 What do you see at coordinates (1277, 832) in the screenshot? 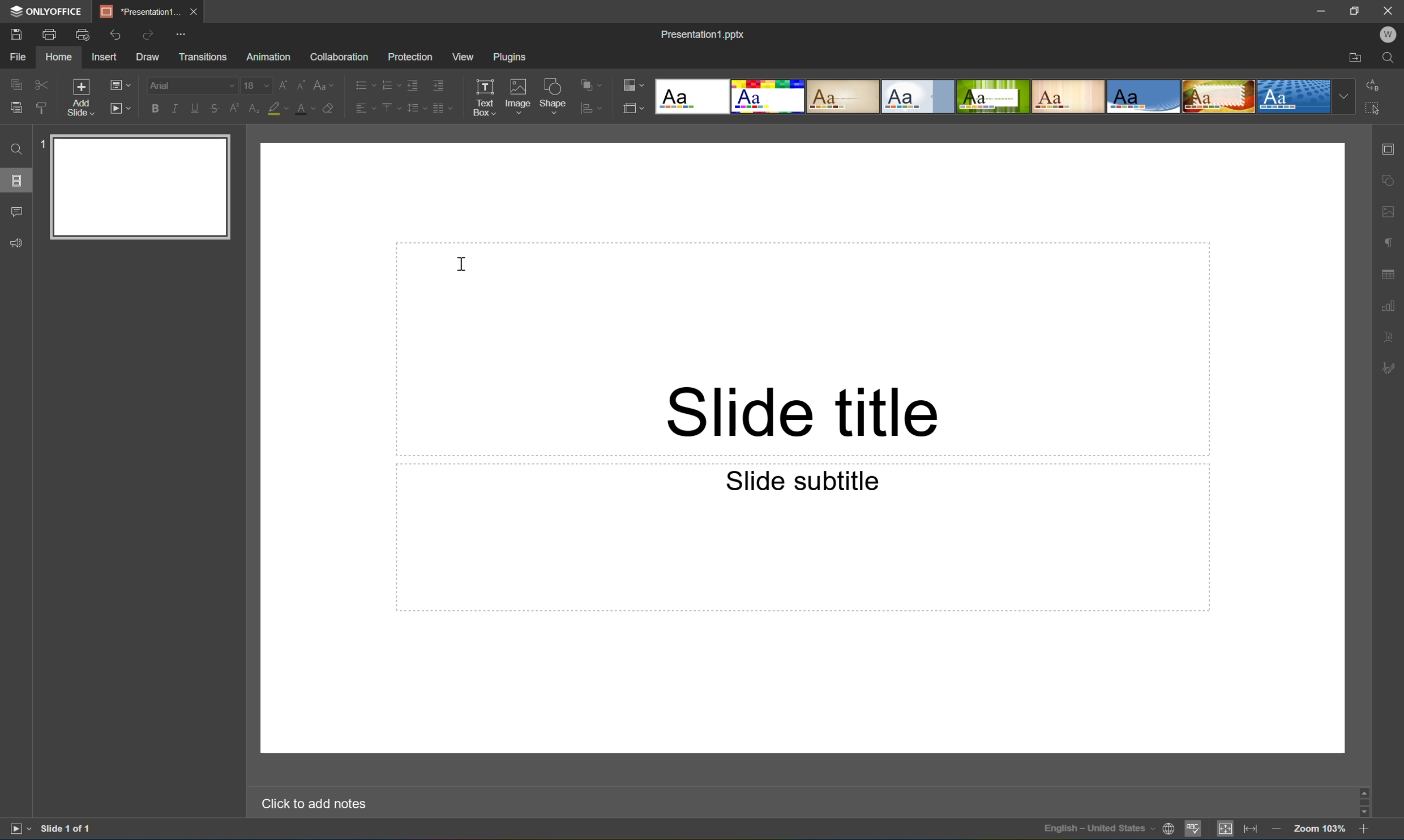
I see `Zoom out` at bounding box center [1277, 832].